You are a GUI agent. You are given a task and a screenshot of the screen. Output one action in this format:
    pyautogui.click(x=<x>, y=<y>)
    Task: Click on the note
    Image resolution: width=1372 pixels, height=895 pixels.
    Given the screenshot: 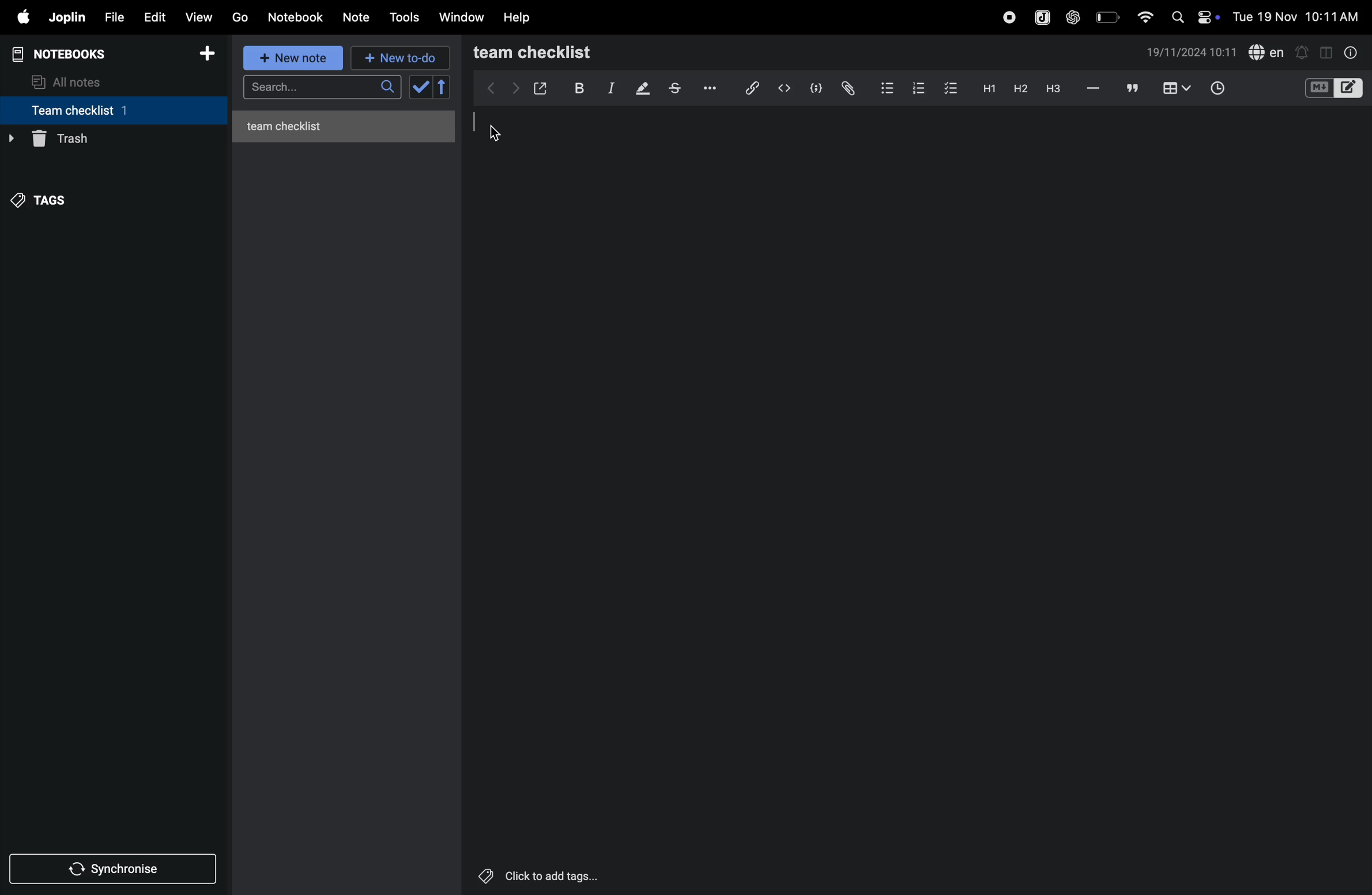 What is the action you would take?
    pyautogui.click(x=361, y=16)
    